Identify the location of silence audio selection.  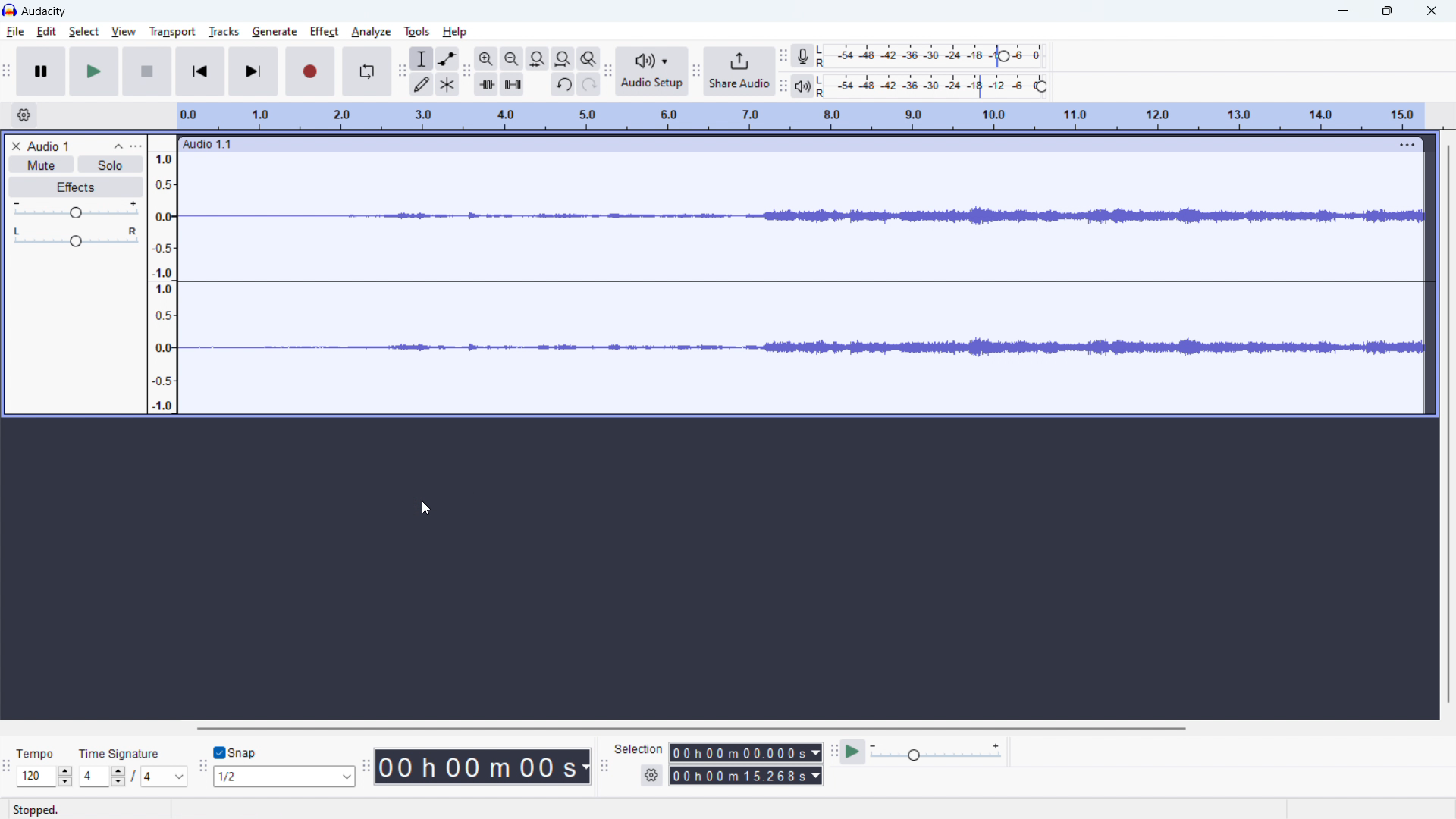
(512, 84).